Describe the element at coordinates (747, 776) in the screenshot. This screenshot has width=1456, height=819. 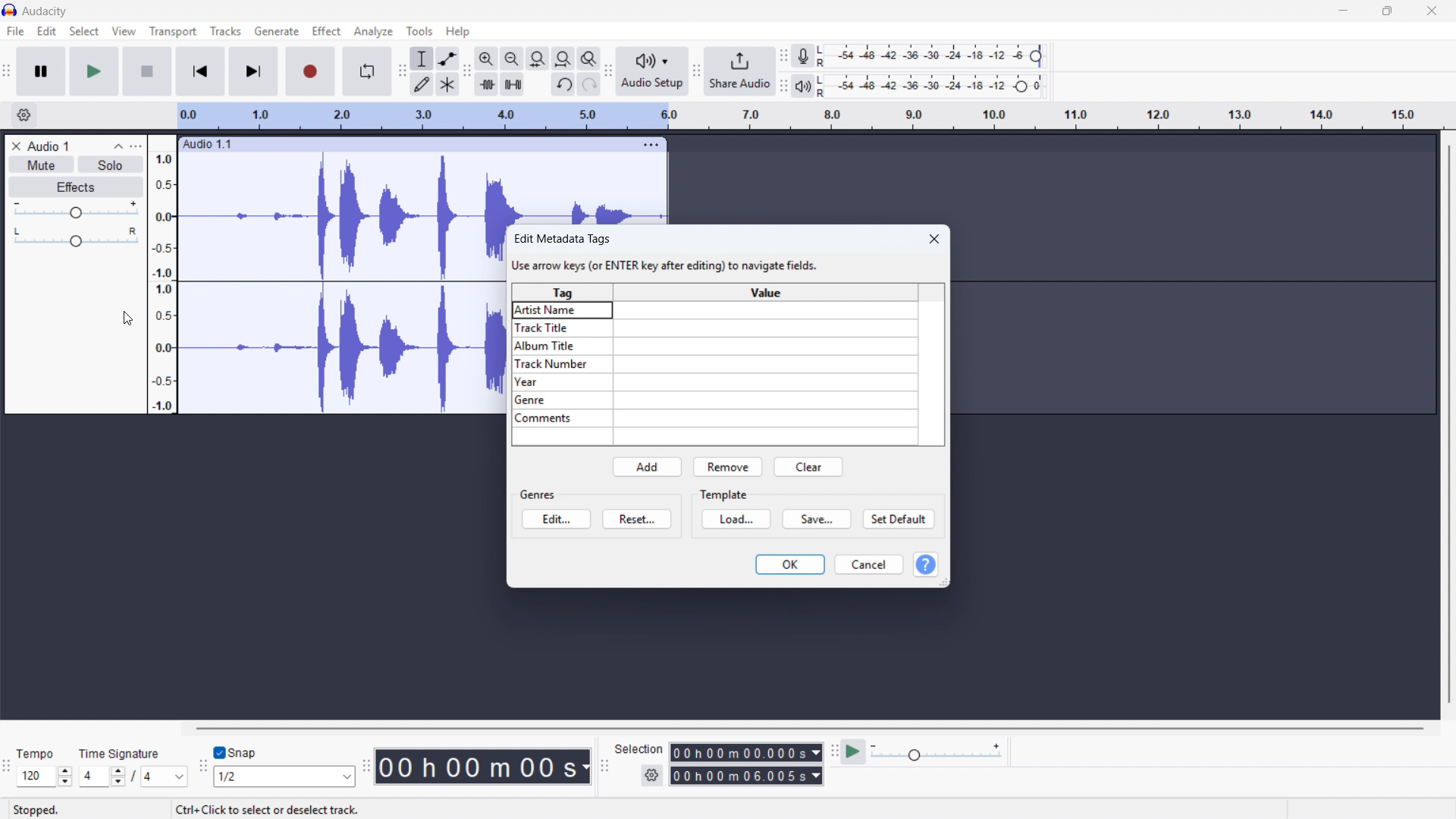
I see `end time` at that location.